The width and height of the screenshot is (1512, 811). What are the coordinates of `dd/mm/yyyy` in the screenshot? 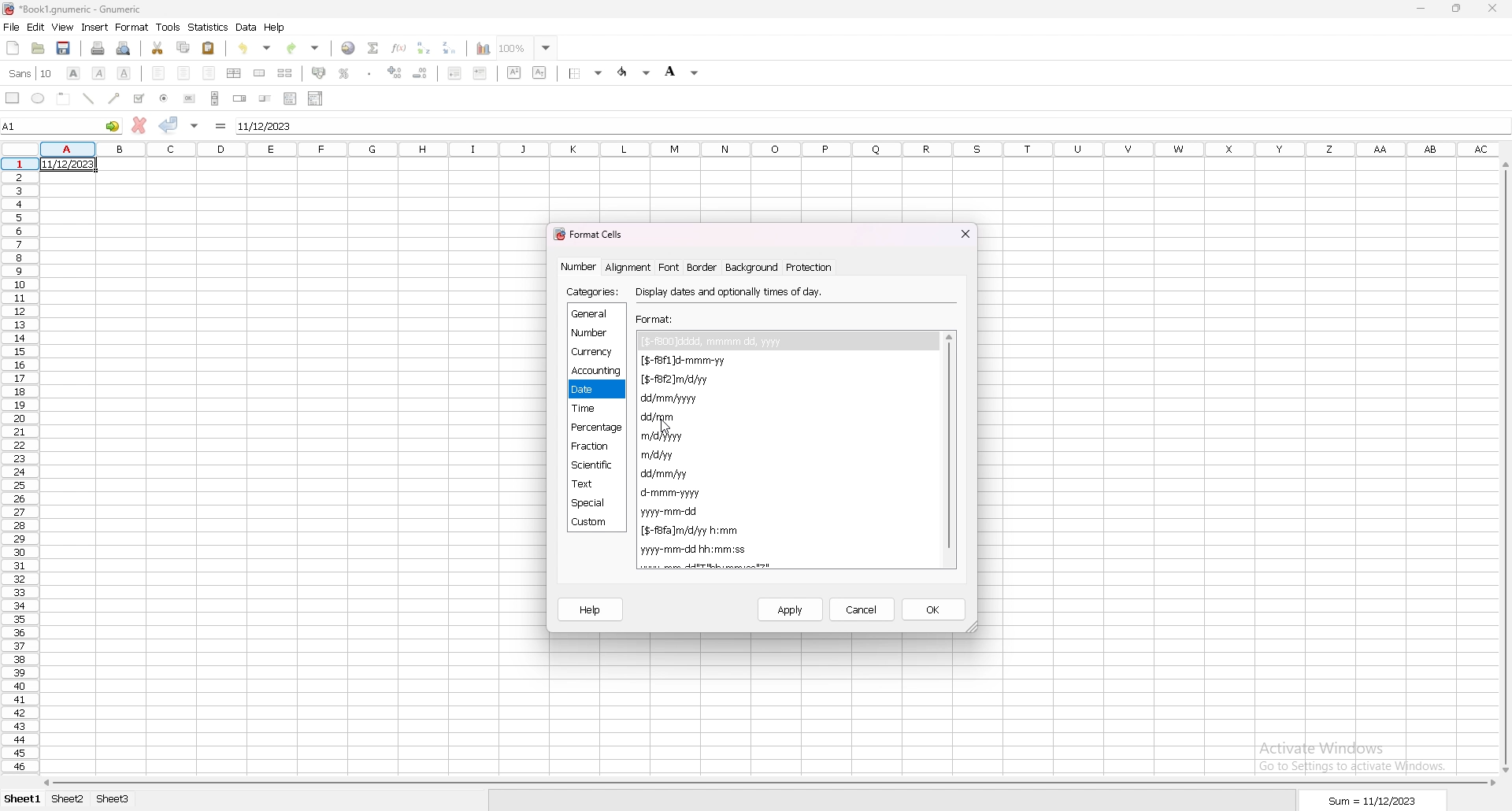 It's located at (673, 398).